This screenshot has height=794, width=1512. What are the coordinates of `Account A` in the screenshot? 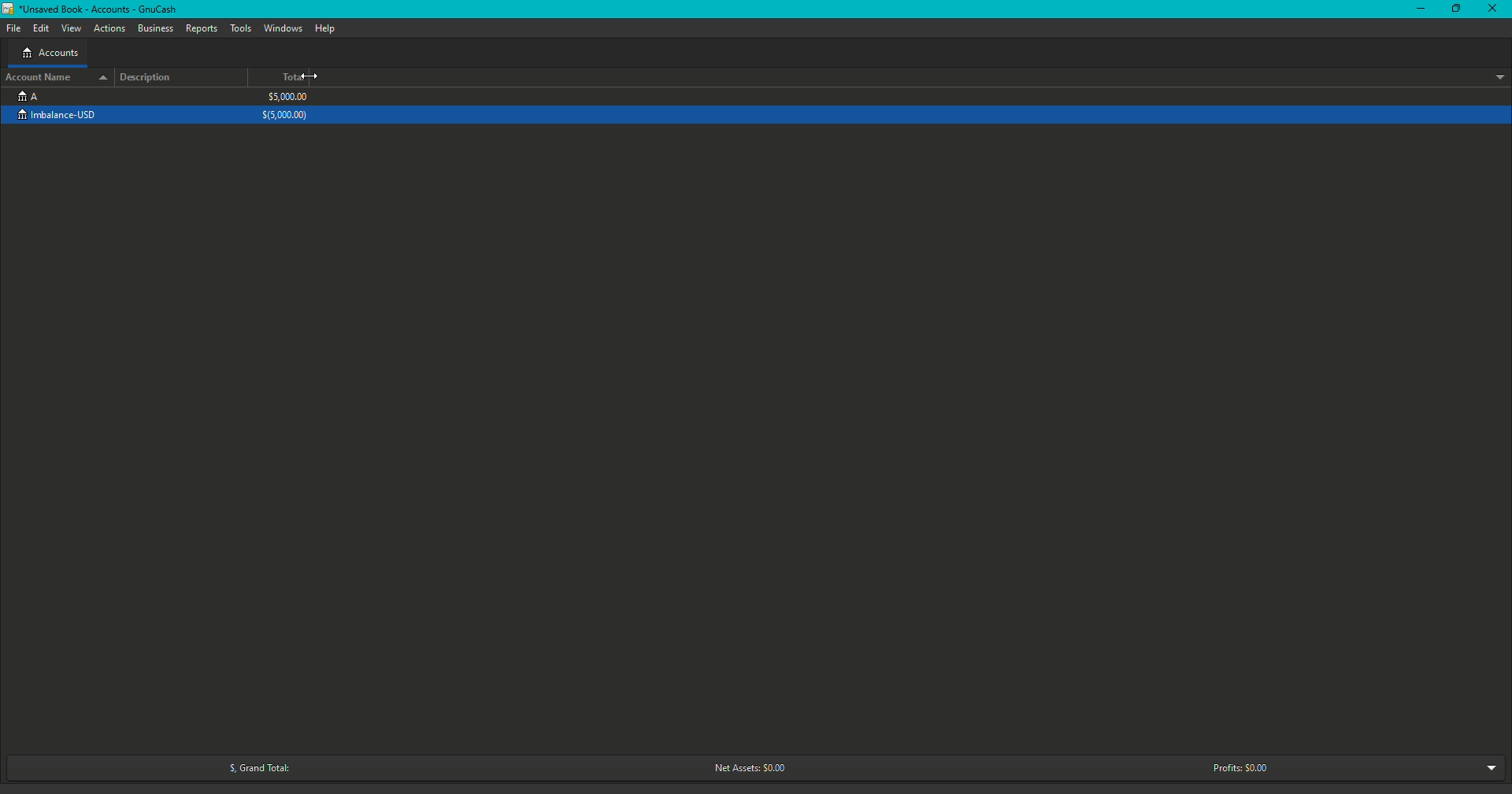 It's located at (28, 95).